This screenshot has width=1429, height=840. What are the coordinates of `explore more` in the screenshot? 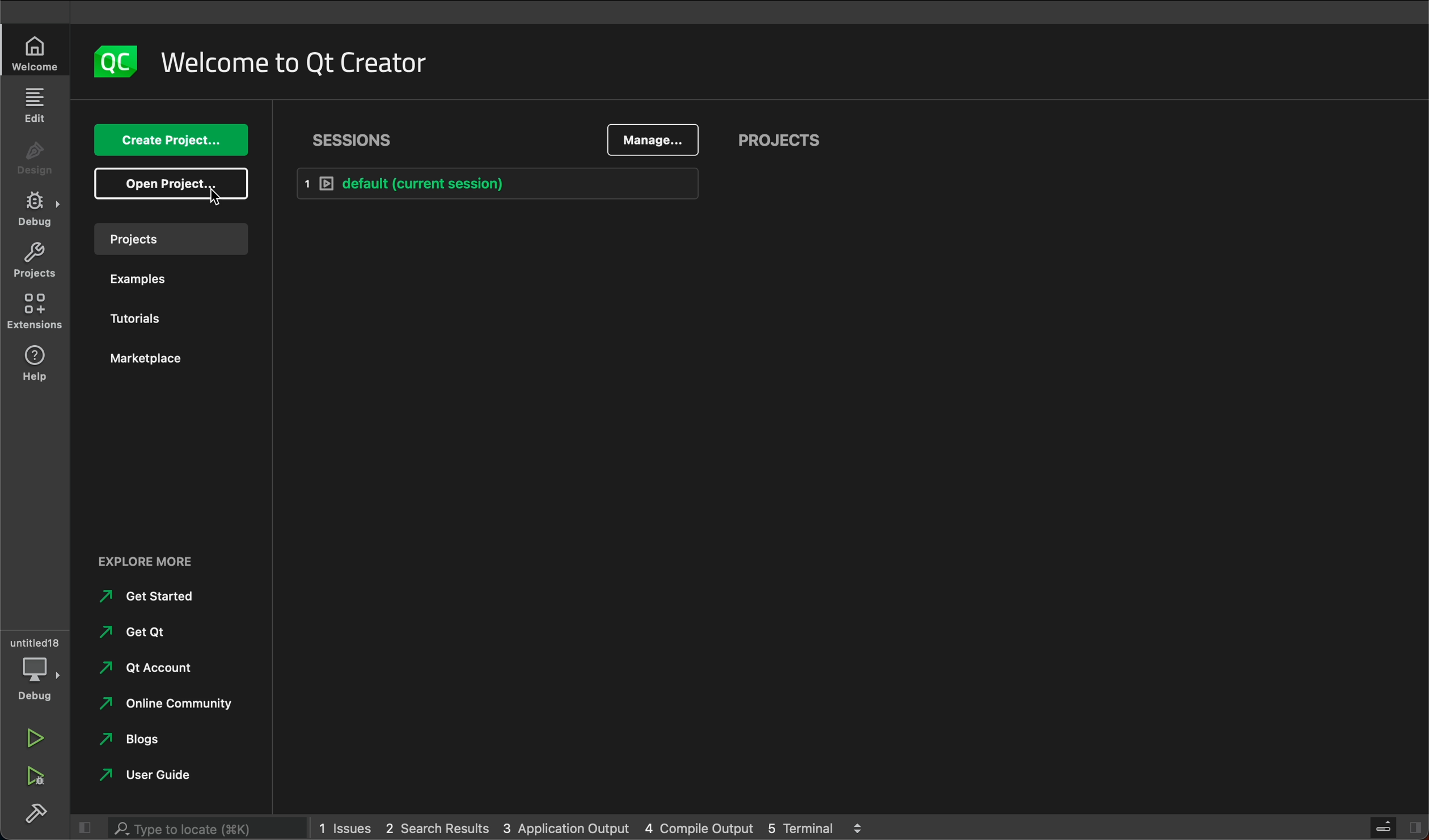 It's located at (166, 559).